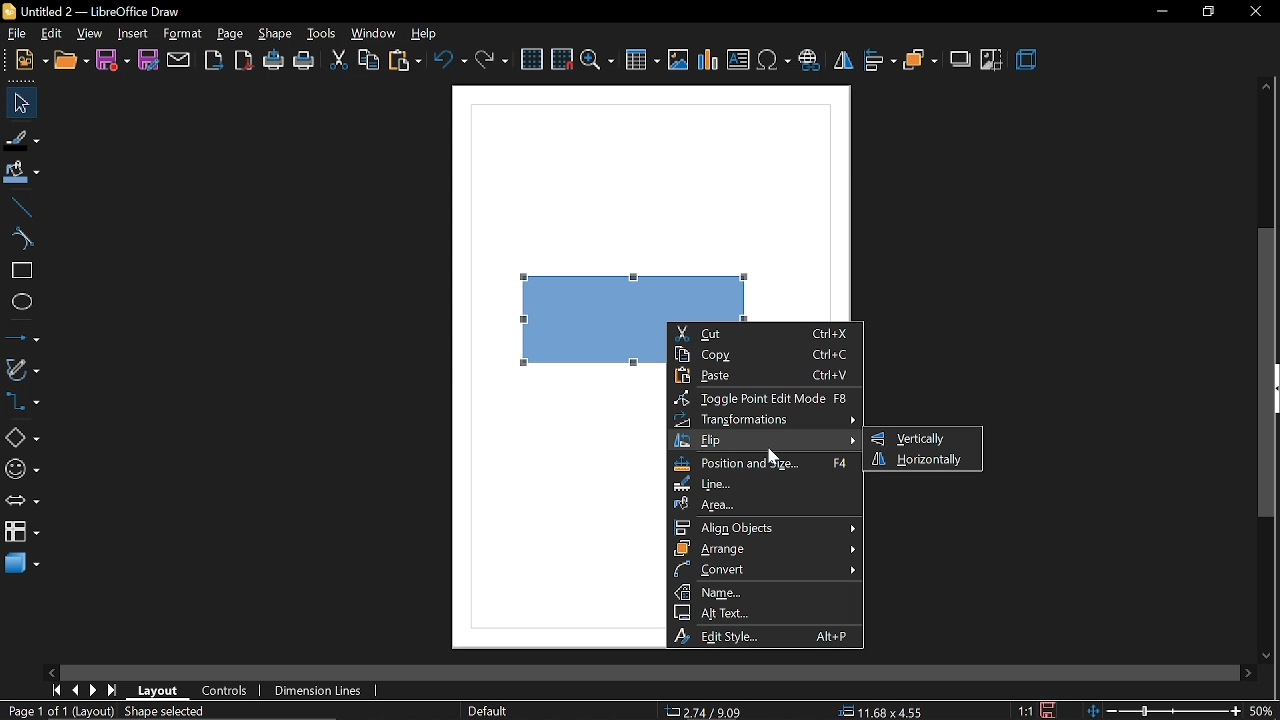 Image resolution: width=1280 pixels, height=720 pixels. What do you see at coordinates (1267, 655) in the screenshot?
I see `move down` at bounding box center [1267, 655].